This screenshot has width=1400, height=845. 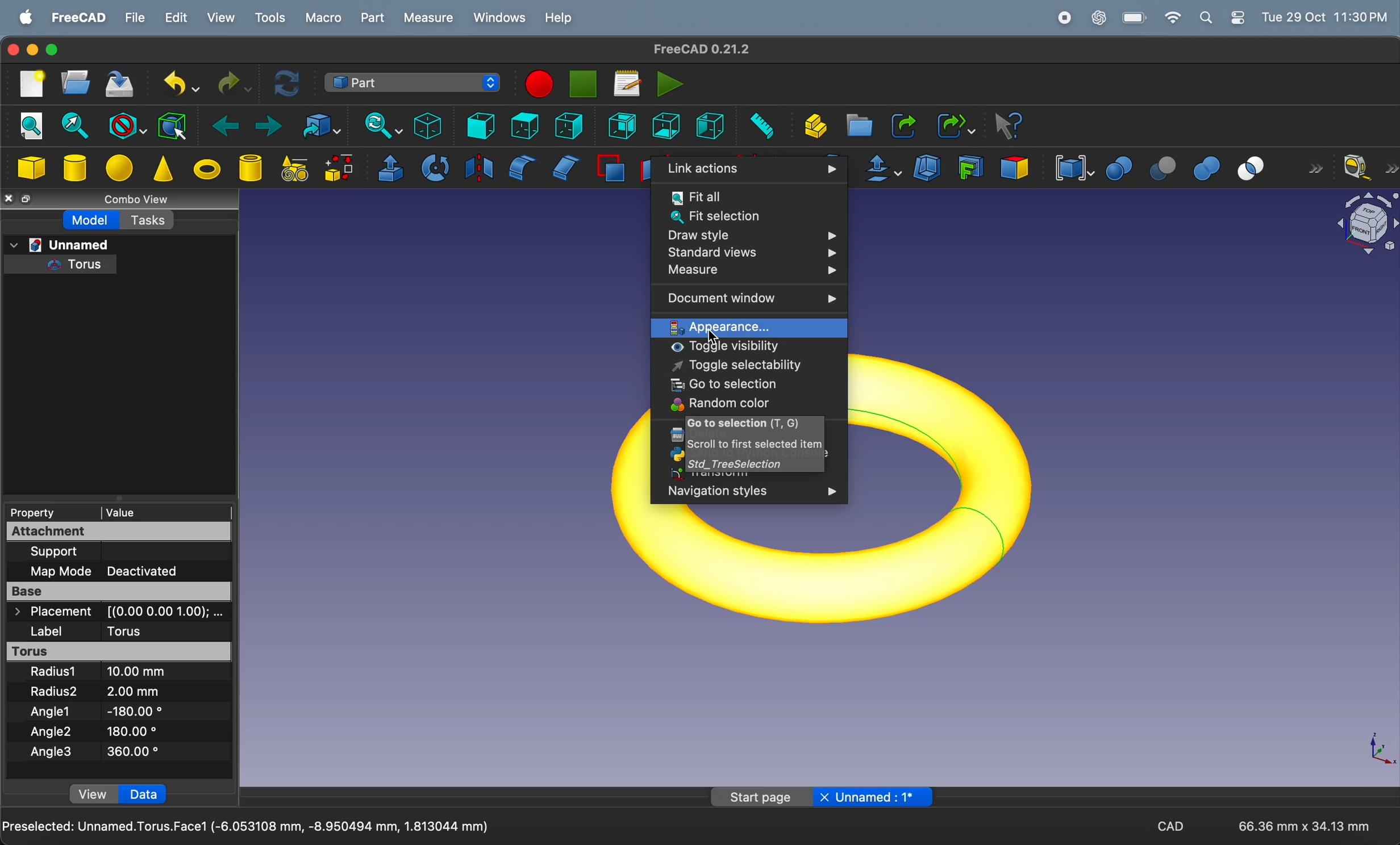 I want to click on unamed, so click(x=60, y=245).